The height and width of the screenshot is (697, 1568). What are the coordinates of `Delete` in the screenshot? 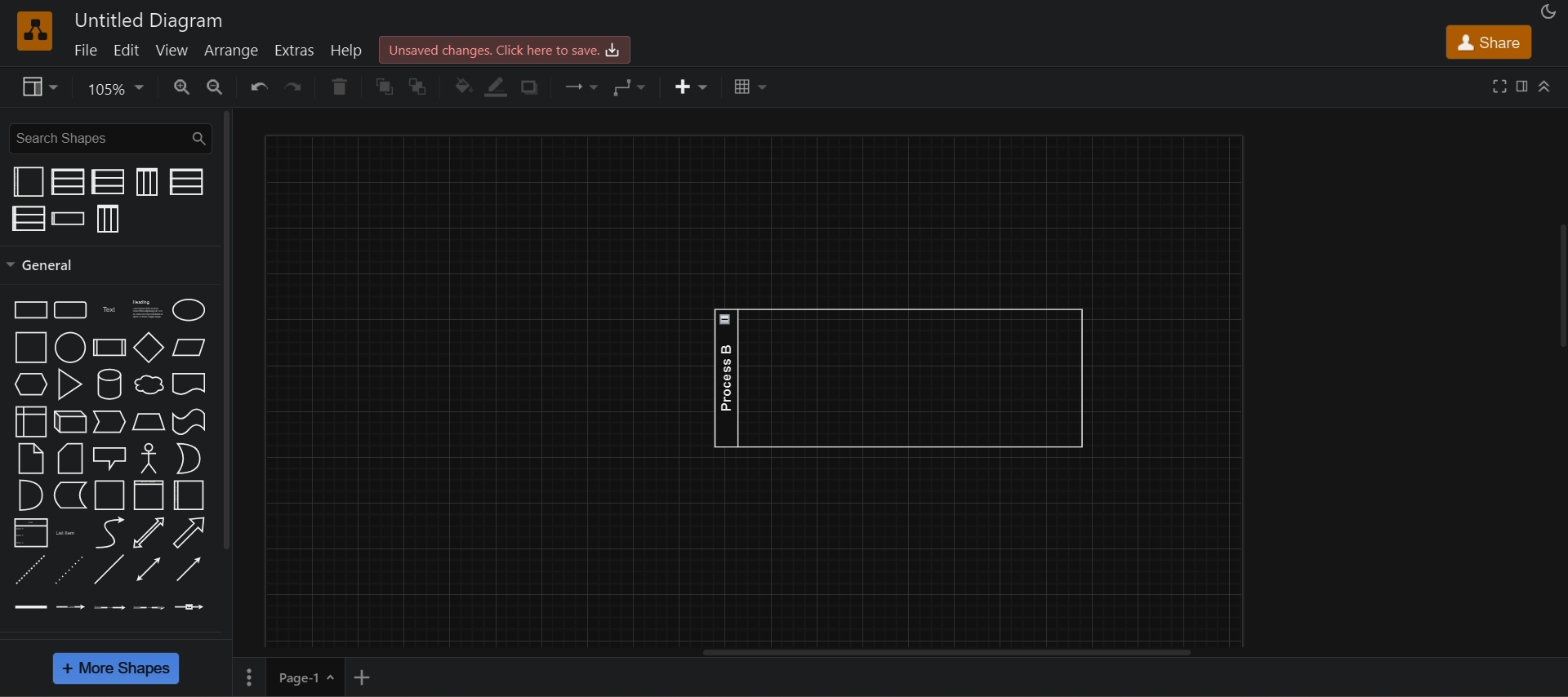 It's located at (336, 87).